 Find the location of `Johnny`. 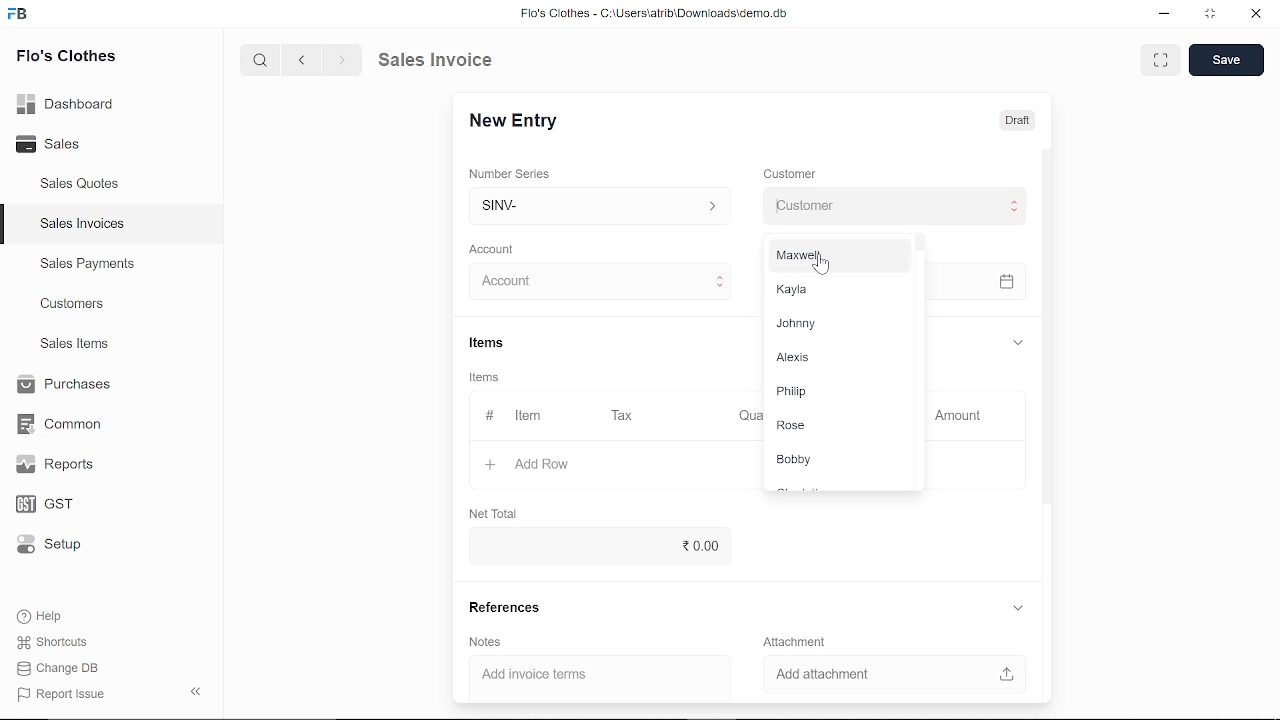

Johnny is located at coordinates (839, 328).